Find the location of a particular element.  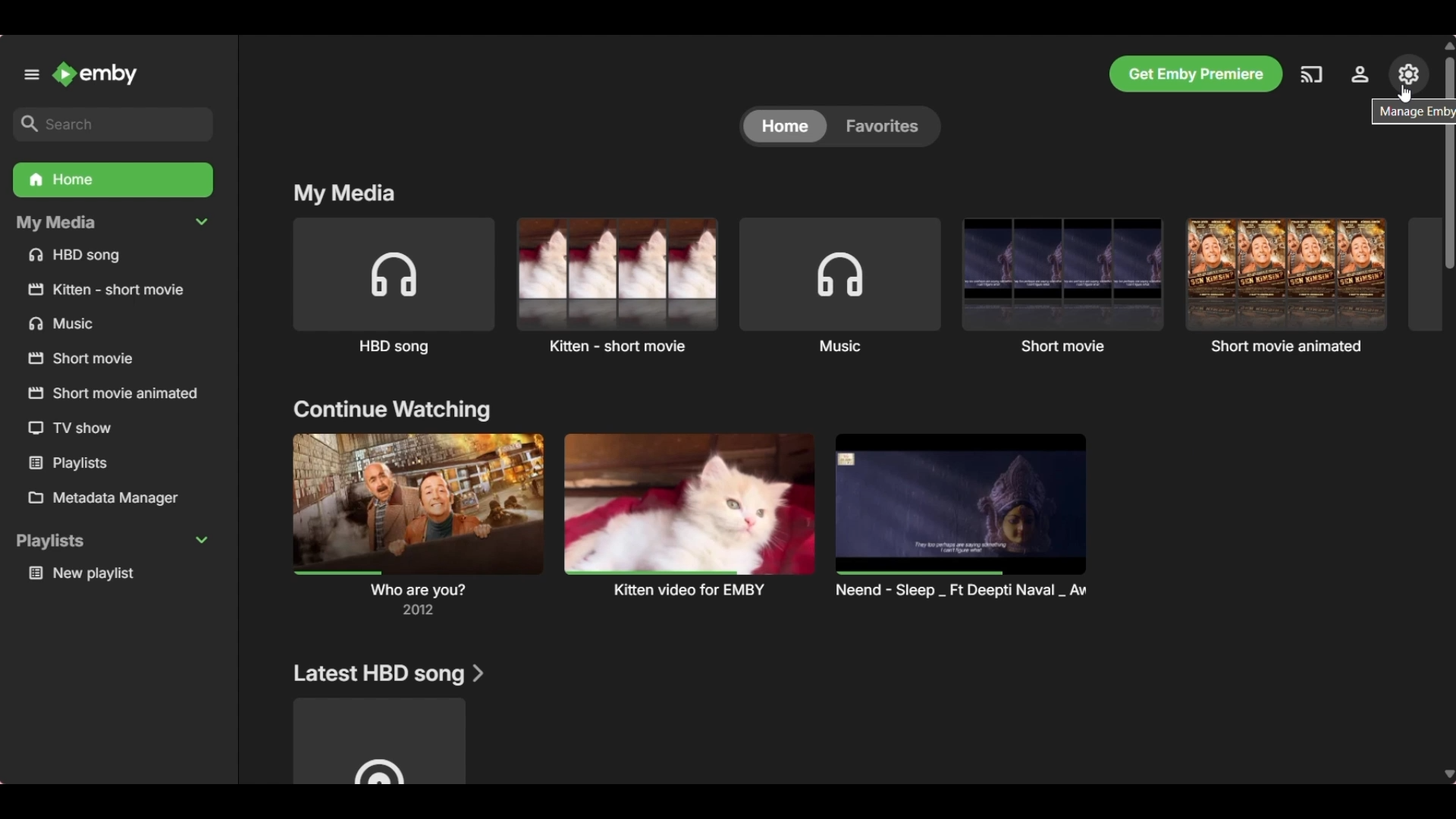

Short movie animated is located at coordinates (1287, 285).